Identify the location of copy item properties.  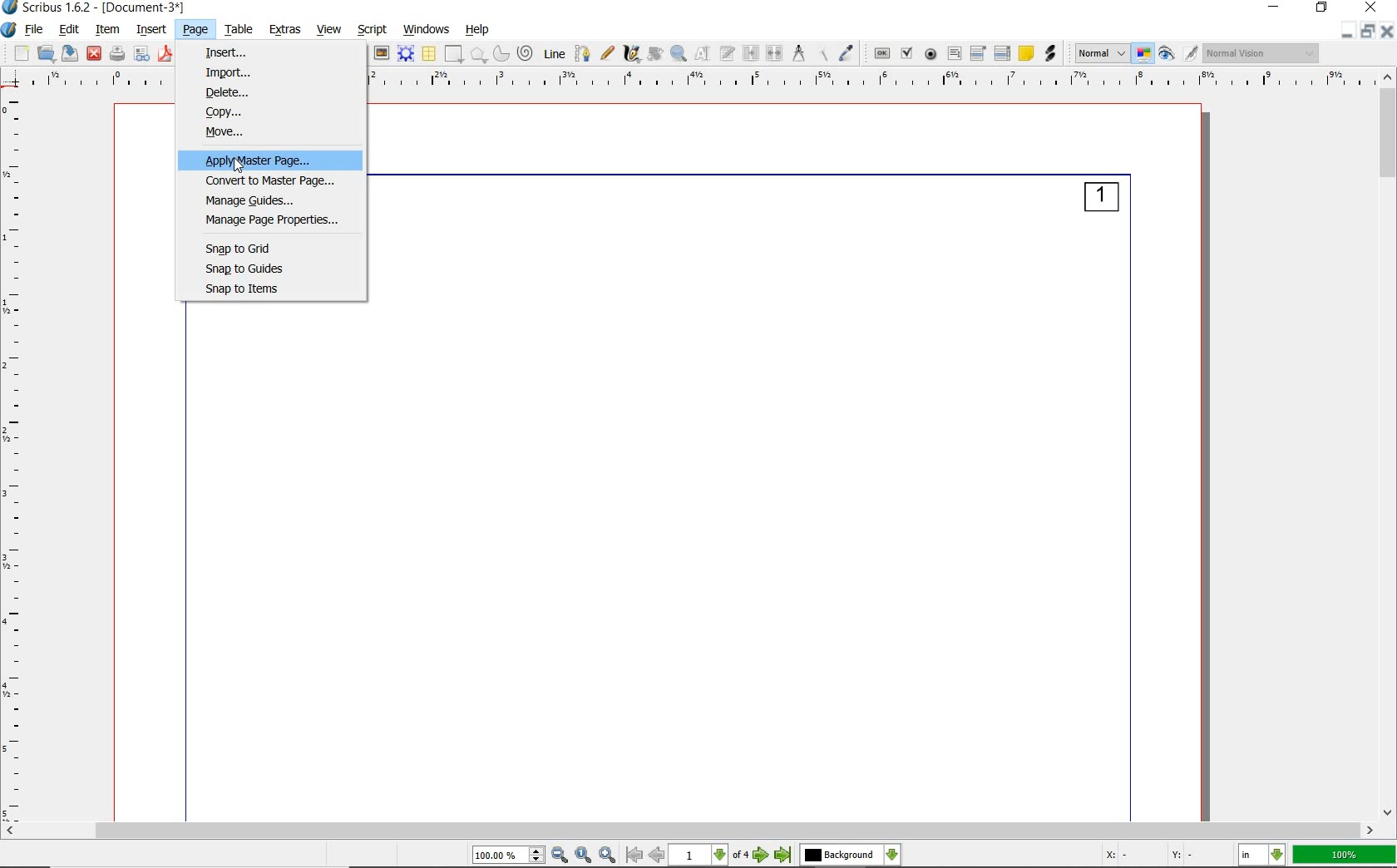
(822, 54).